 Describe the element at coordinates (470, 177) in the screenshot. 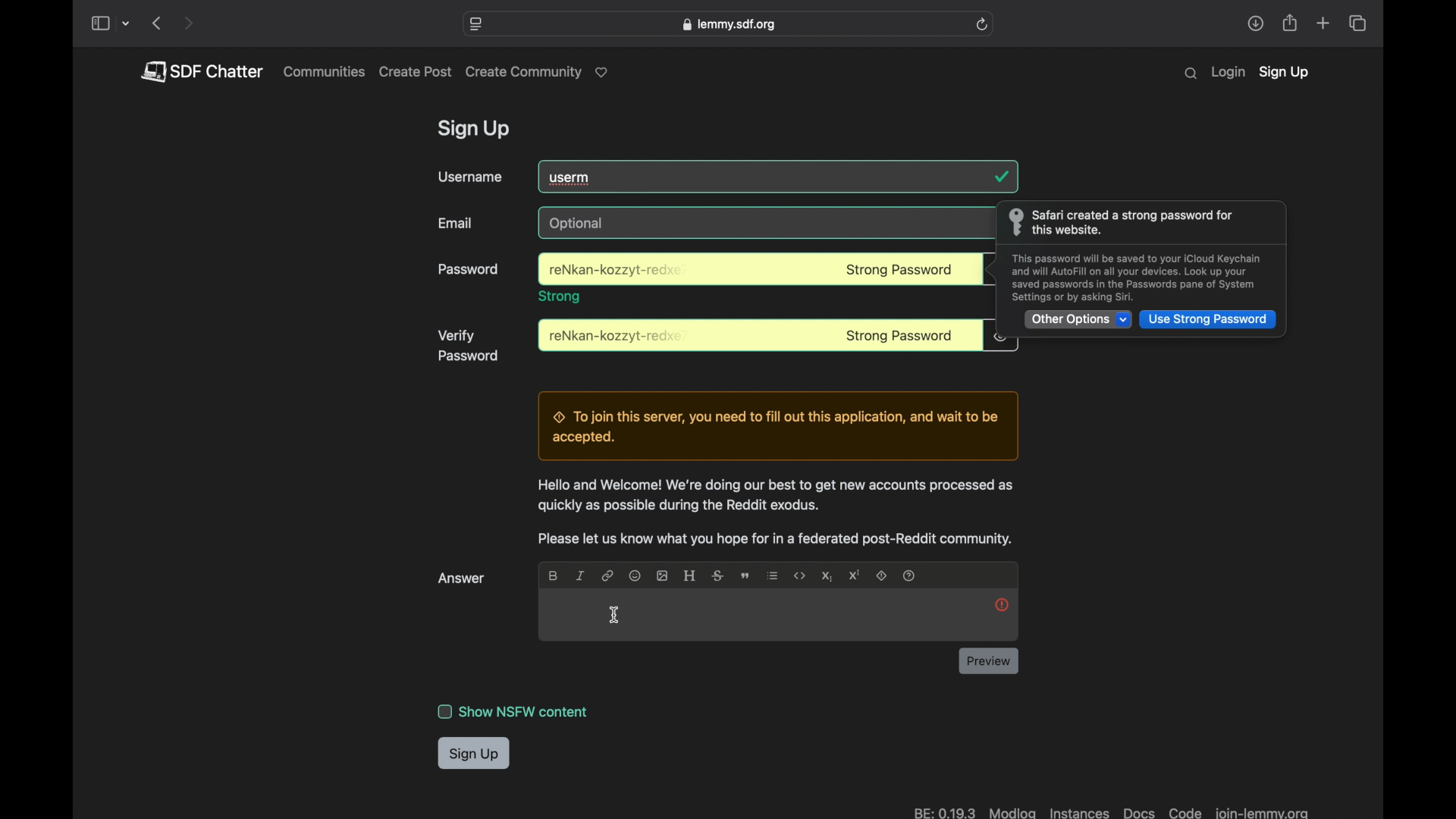

I see `username` at that location.